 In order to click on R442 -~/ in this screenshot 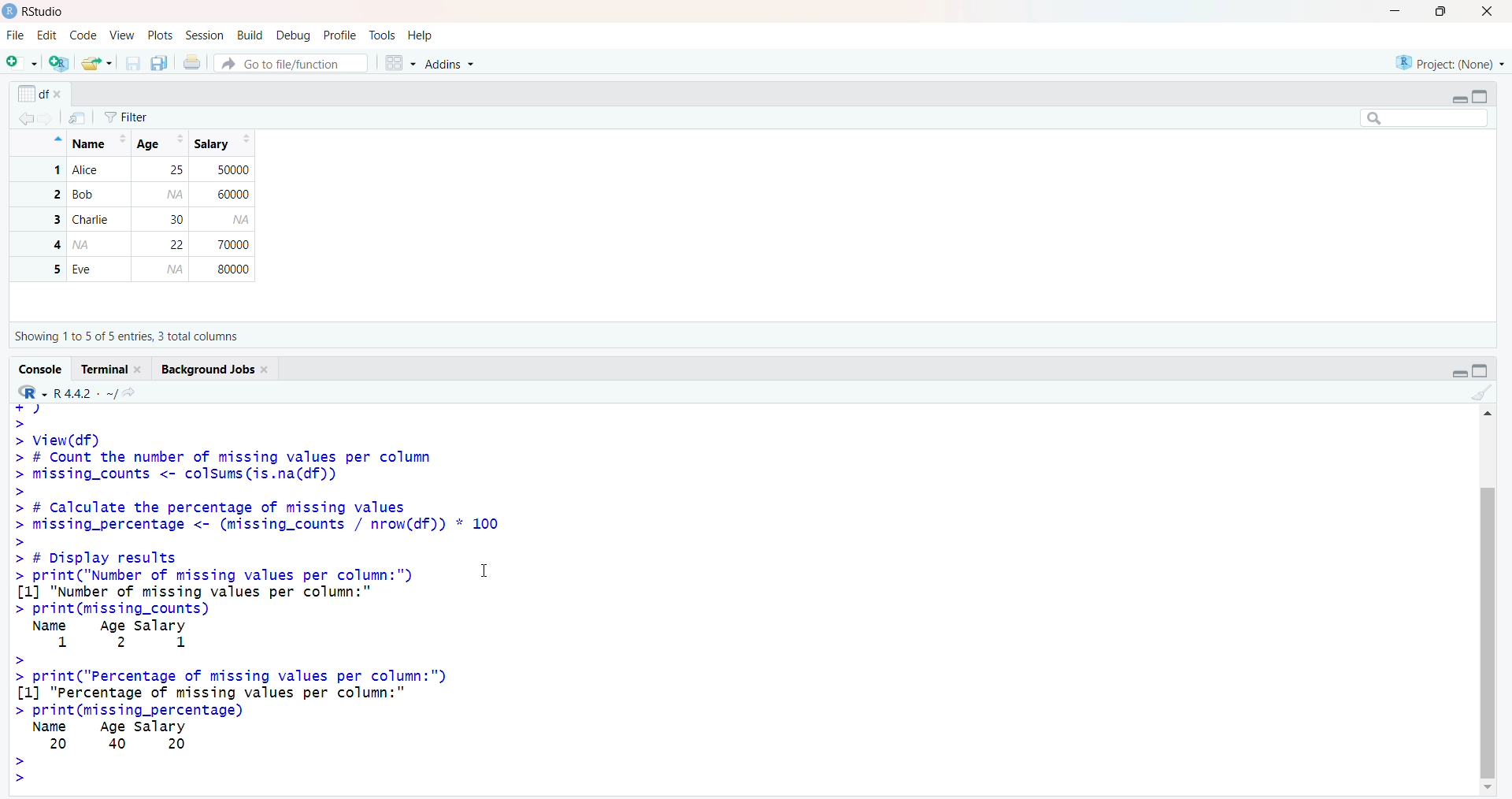, I will do `click(83, 393)`.